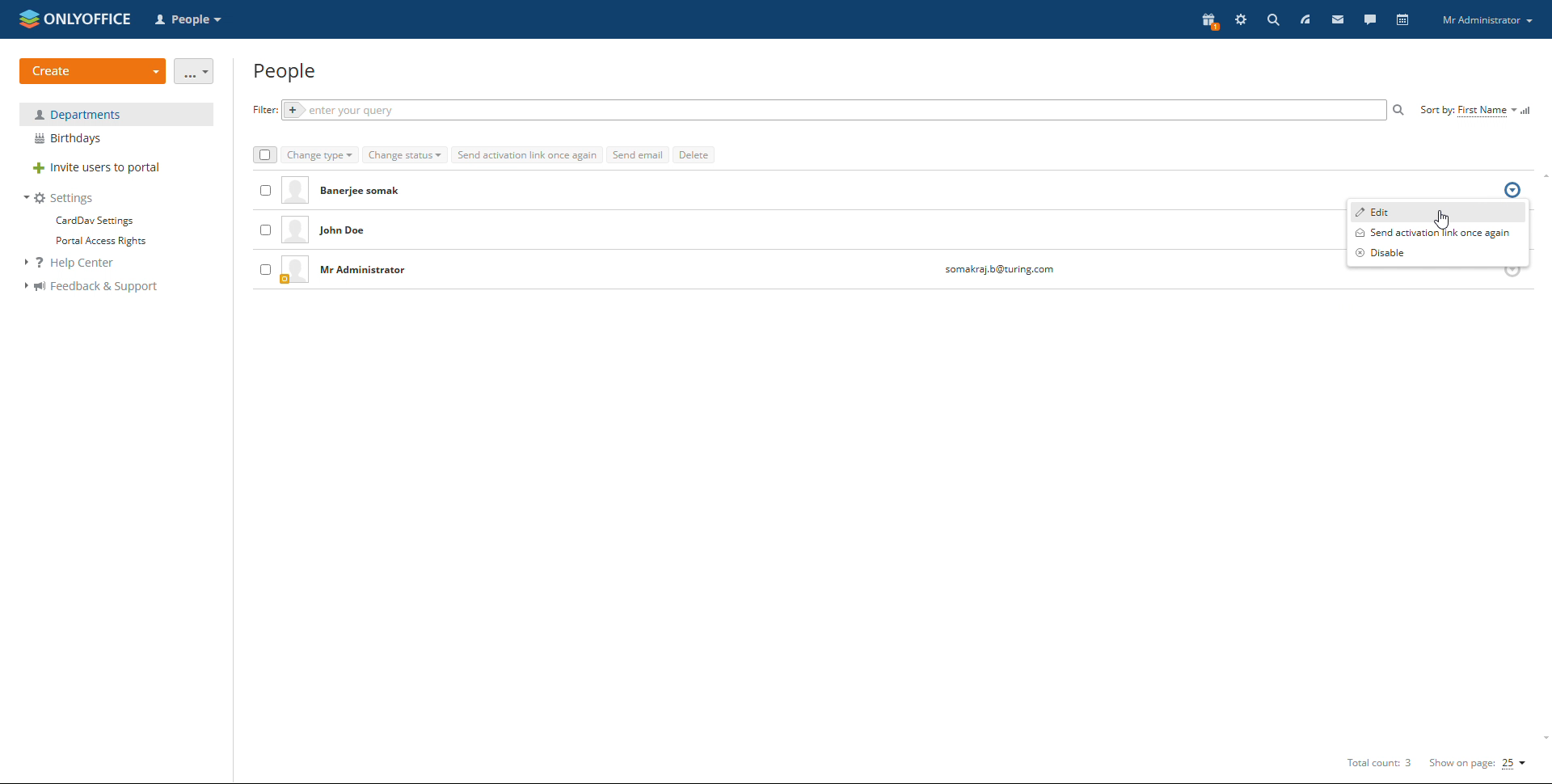 This screenshot has width=1552, height=784. What do you see at coordinates (261, 110) in the screenshot?
I see `Filer:` at bounding box center [261, 110].